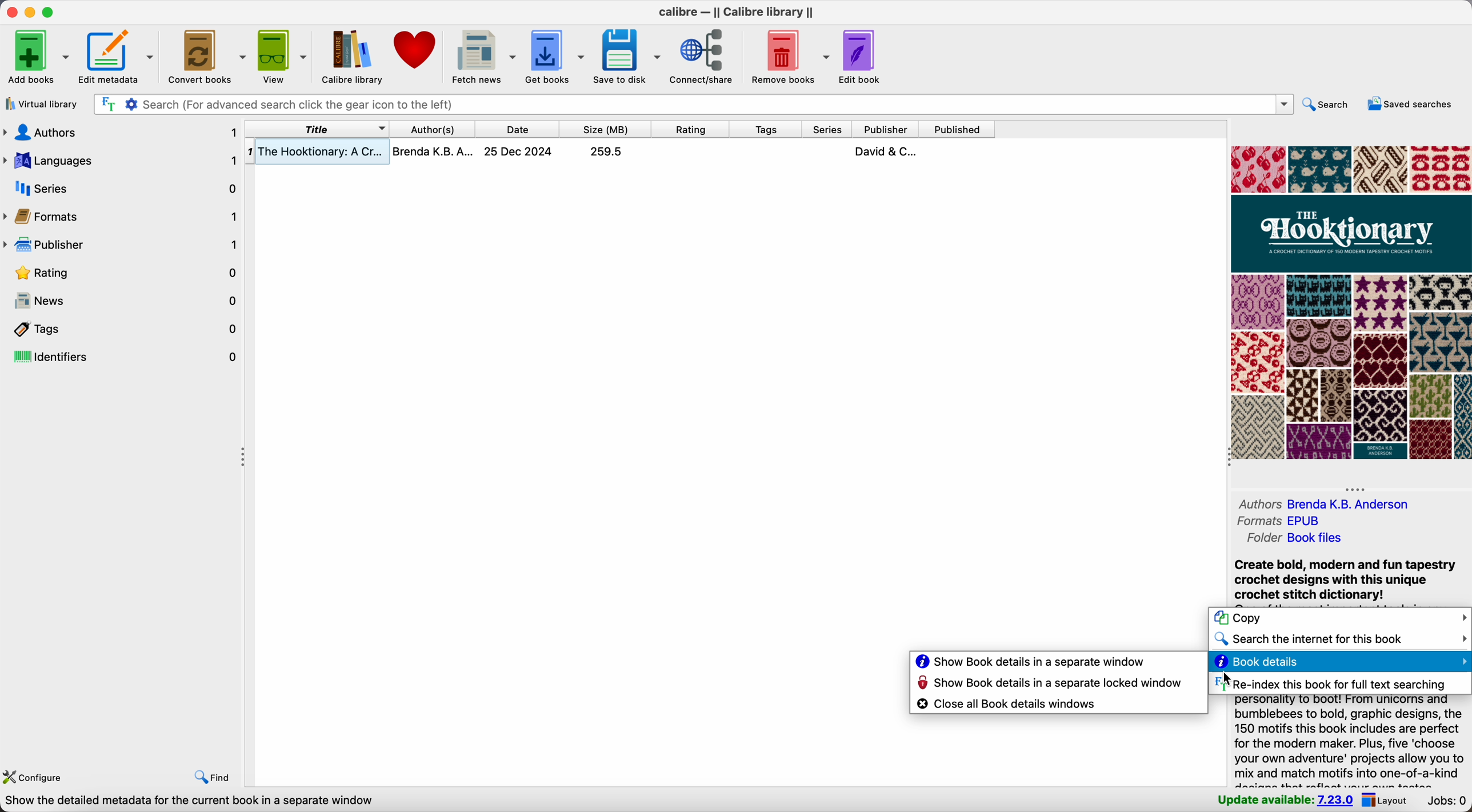  I want to click on rating, so click(690, 128).